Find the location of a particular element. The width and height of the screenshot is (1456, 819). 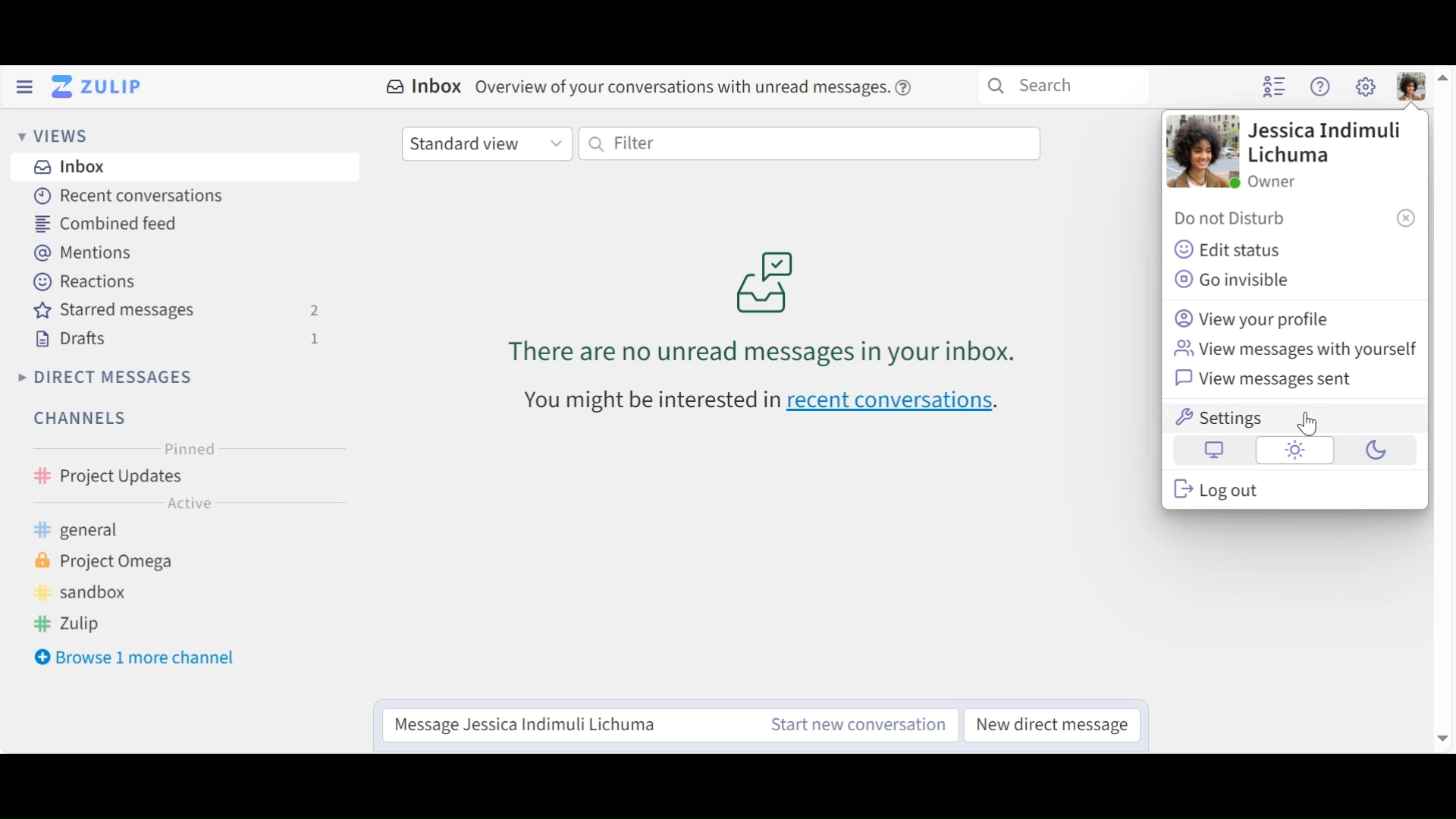

Light theme is located at coordinates (1294, 450).